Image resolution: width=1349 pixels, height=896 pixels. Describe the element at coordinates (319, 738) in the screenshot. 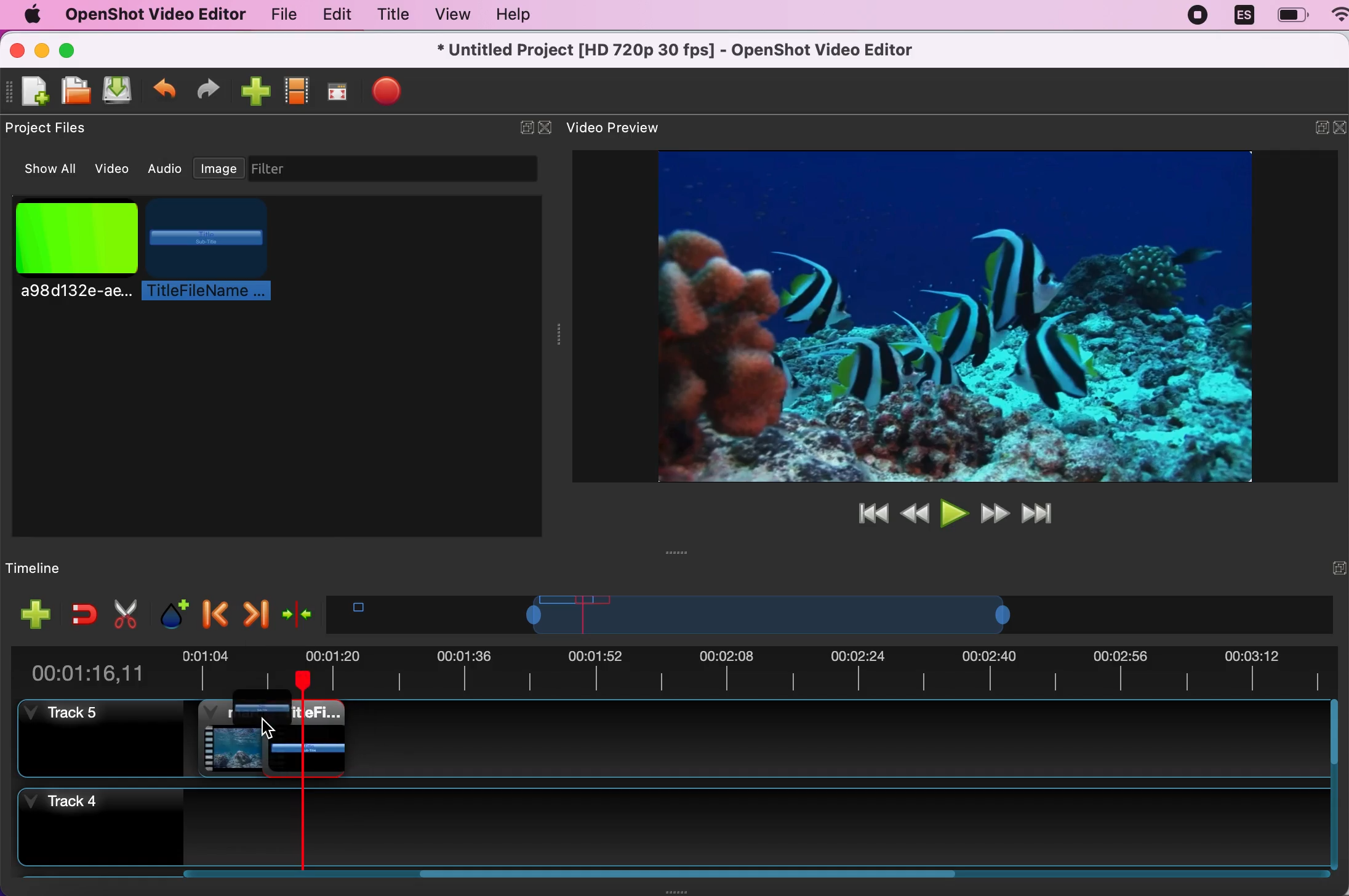

I see `clip 2` at that location.